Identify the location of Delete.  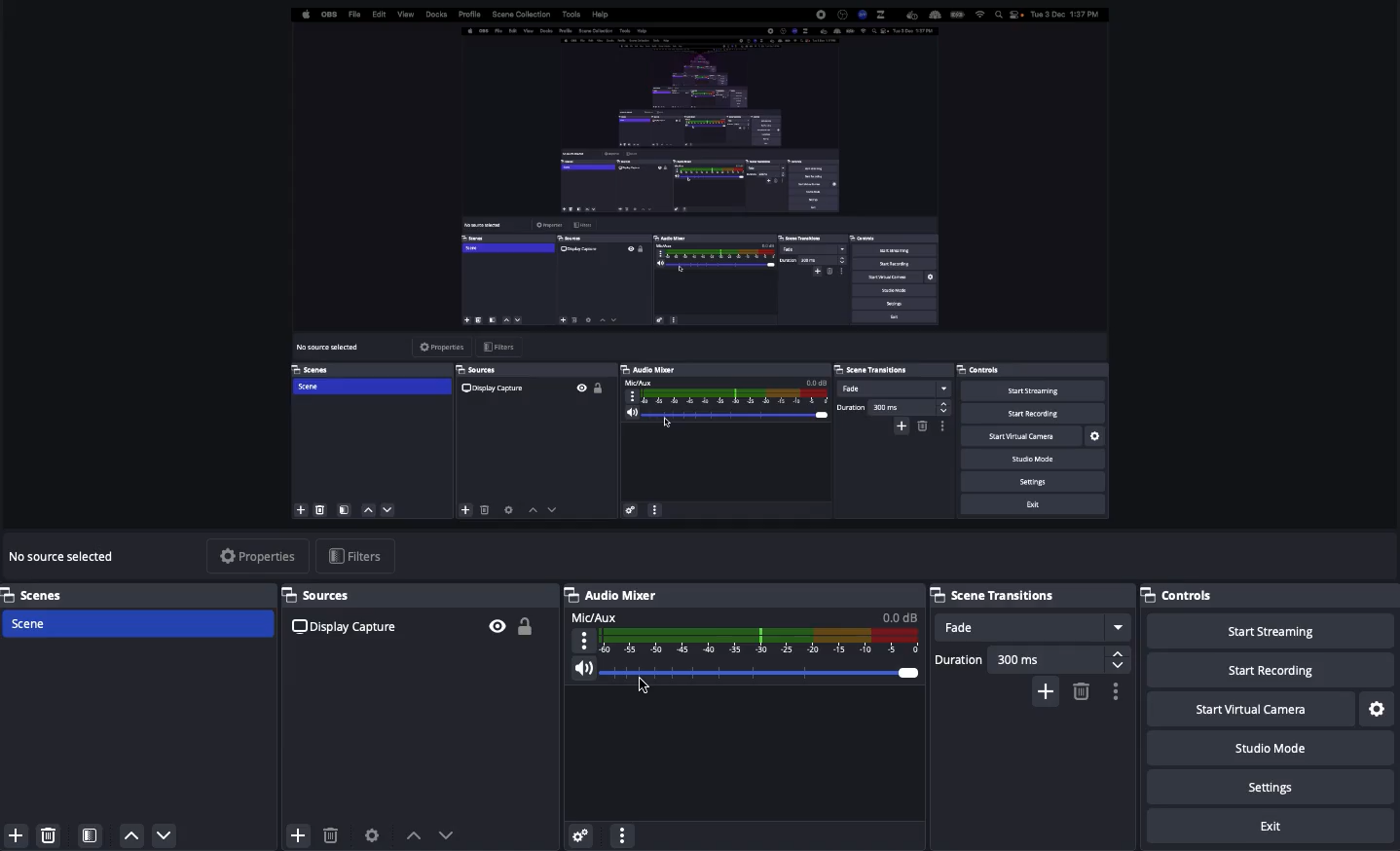
(1080, 690).